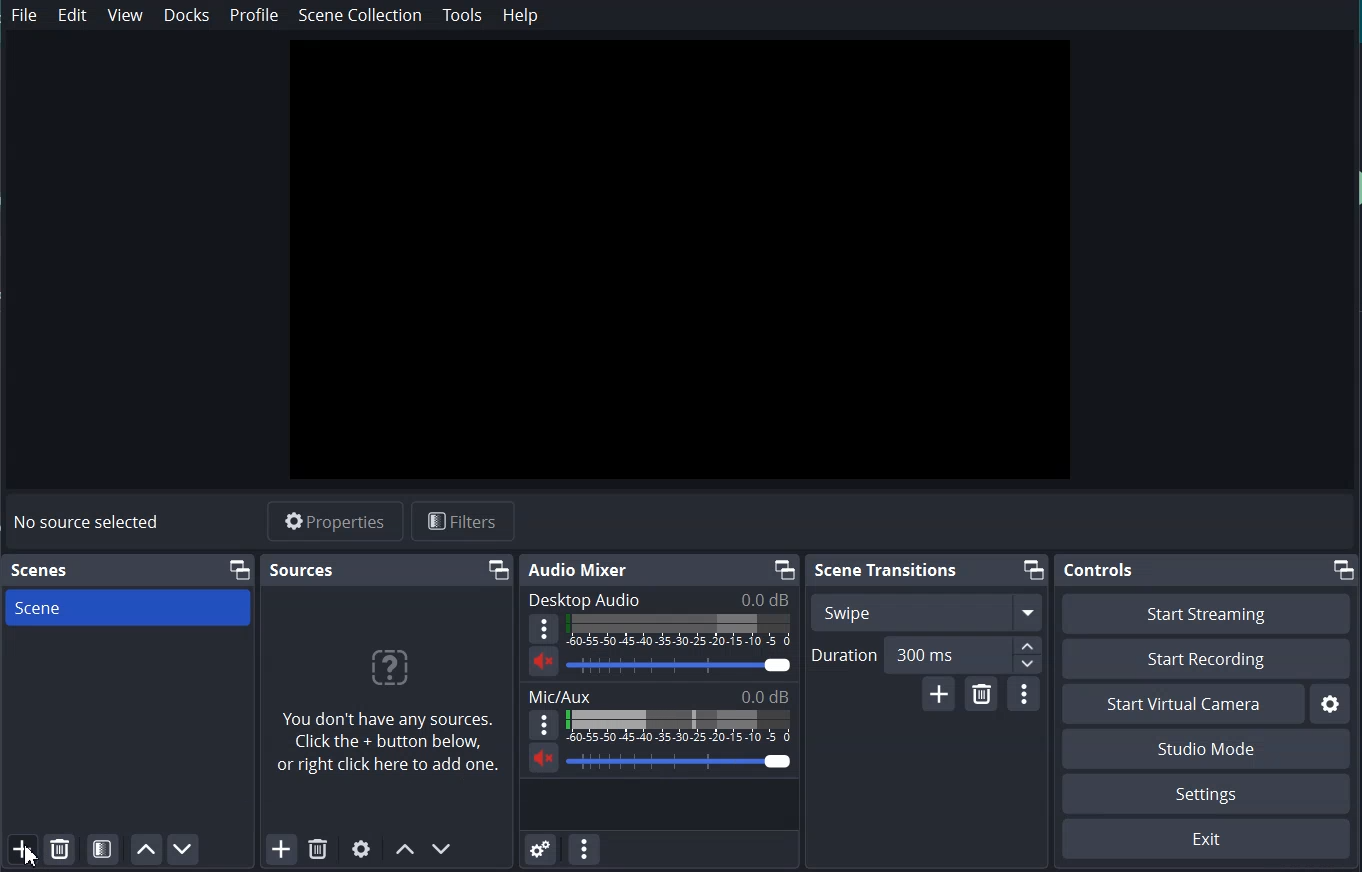 Image resolution: width=1362 pixels, height=872 pixels. What do you see at coordinates (281, 850) in the screenshot?
I see `Add Source` at bounding box center [281, 850].